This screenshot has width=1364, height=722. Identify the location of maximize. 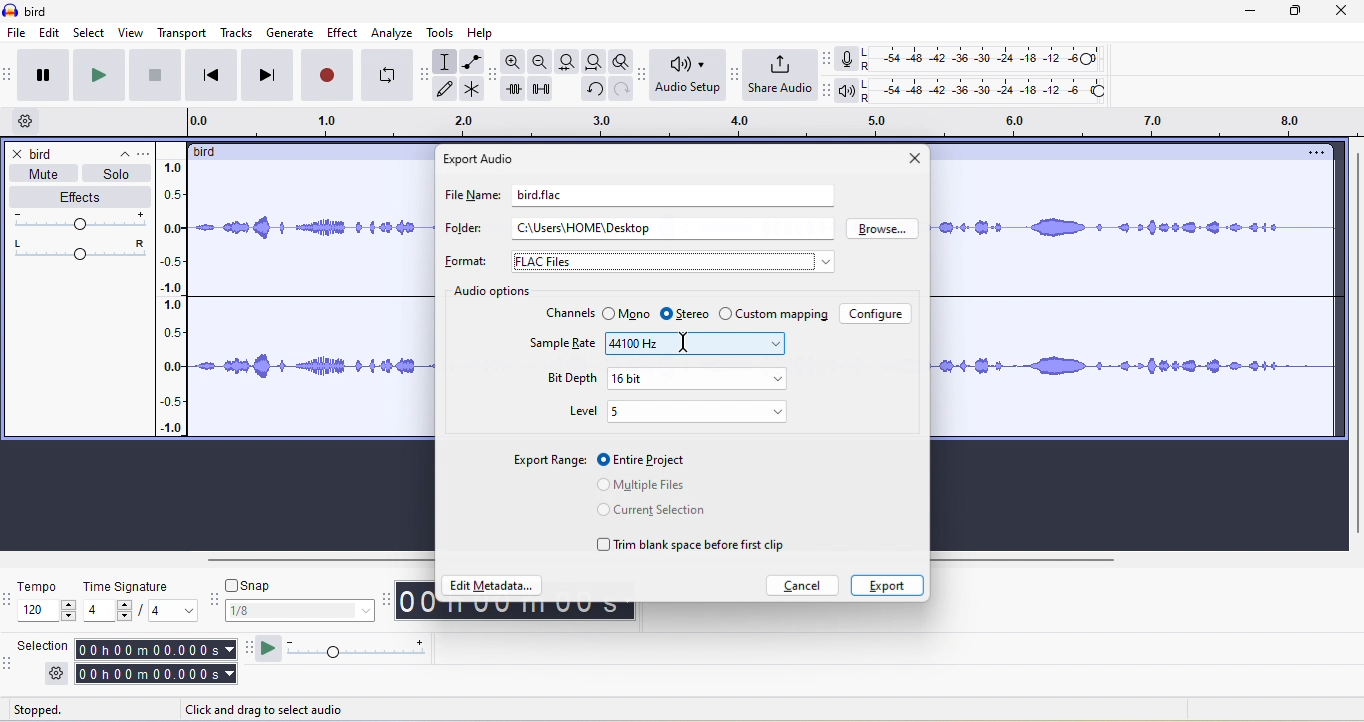
(1298, 13).